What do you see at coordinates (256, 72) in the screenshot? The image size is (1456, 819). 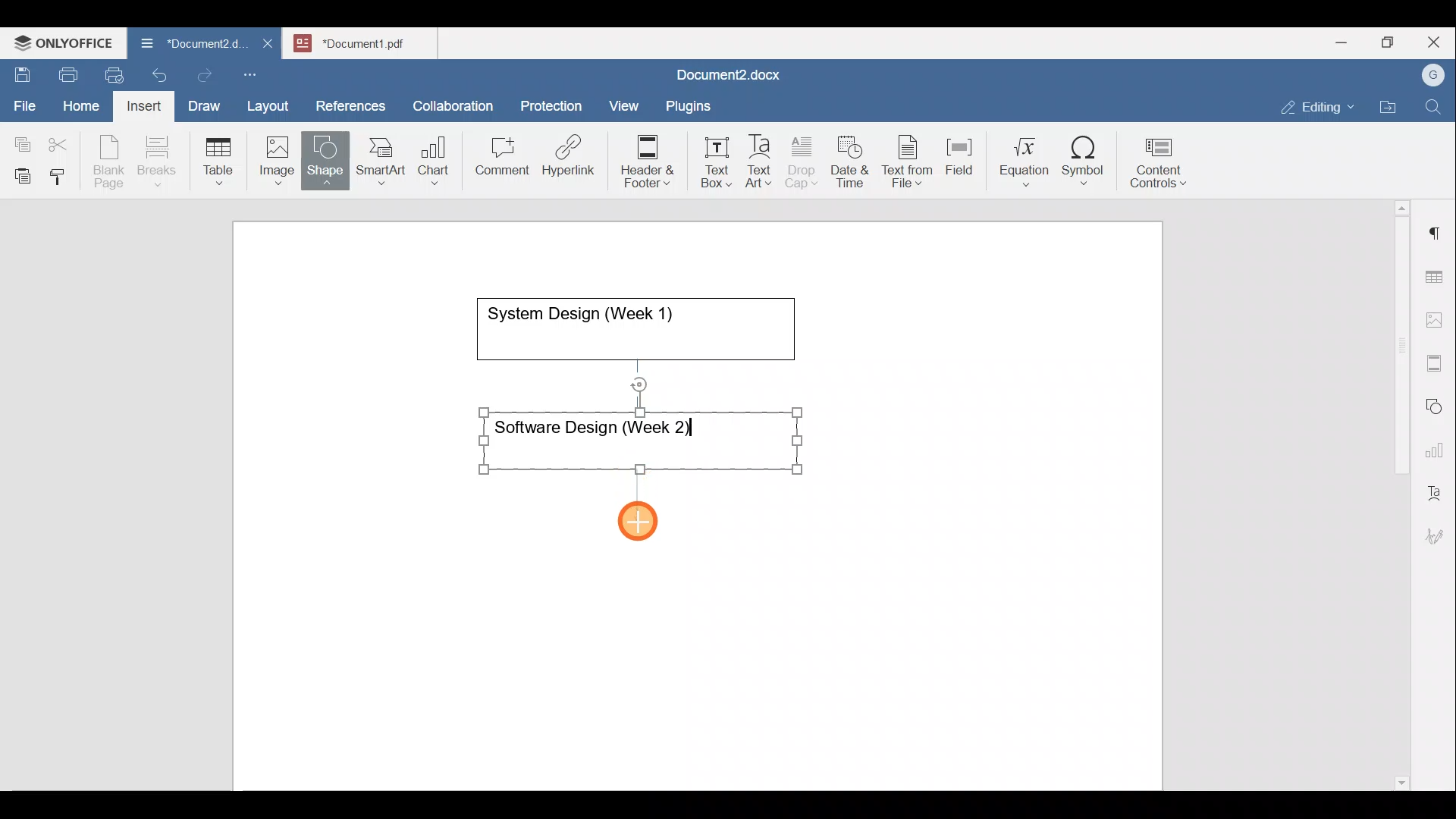 I see `Customize quick access toolbar` at bounding box center [256, 72].